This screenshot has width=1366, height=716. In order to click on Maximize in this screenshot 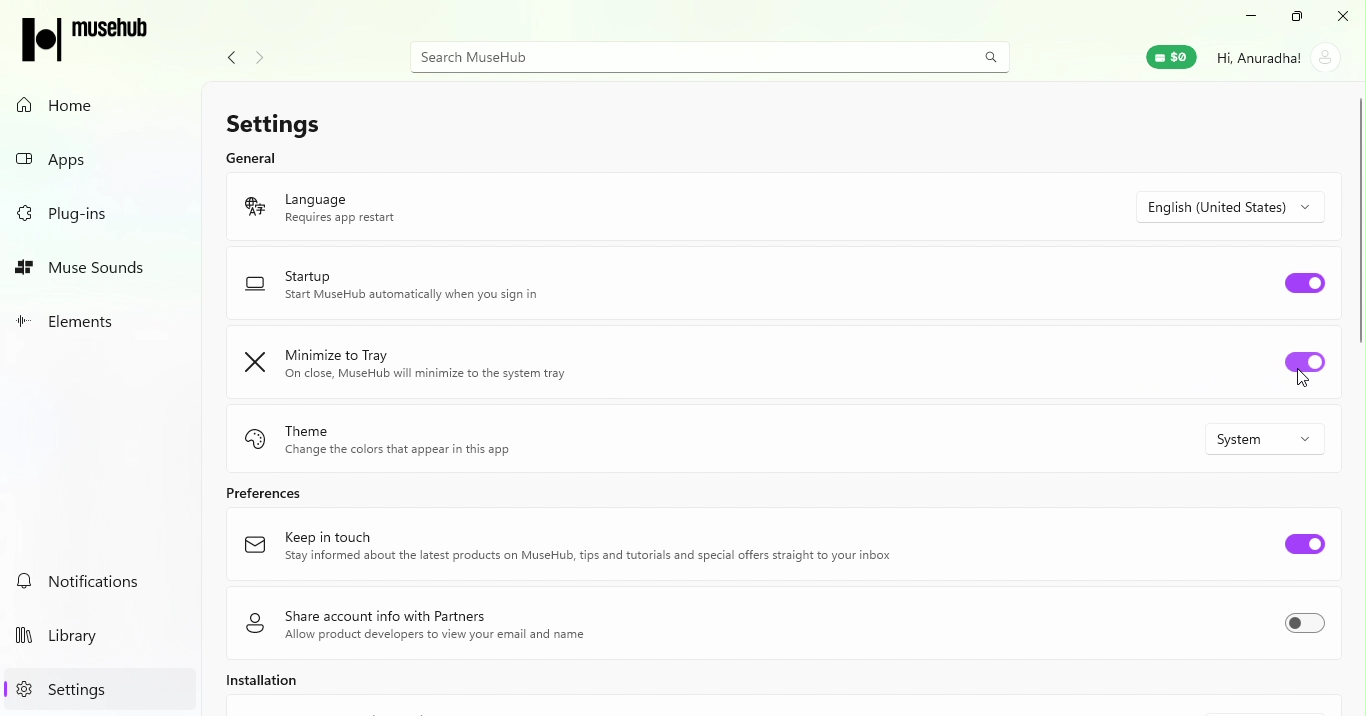, I will do `click(1295, 17)`.